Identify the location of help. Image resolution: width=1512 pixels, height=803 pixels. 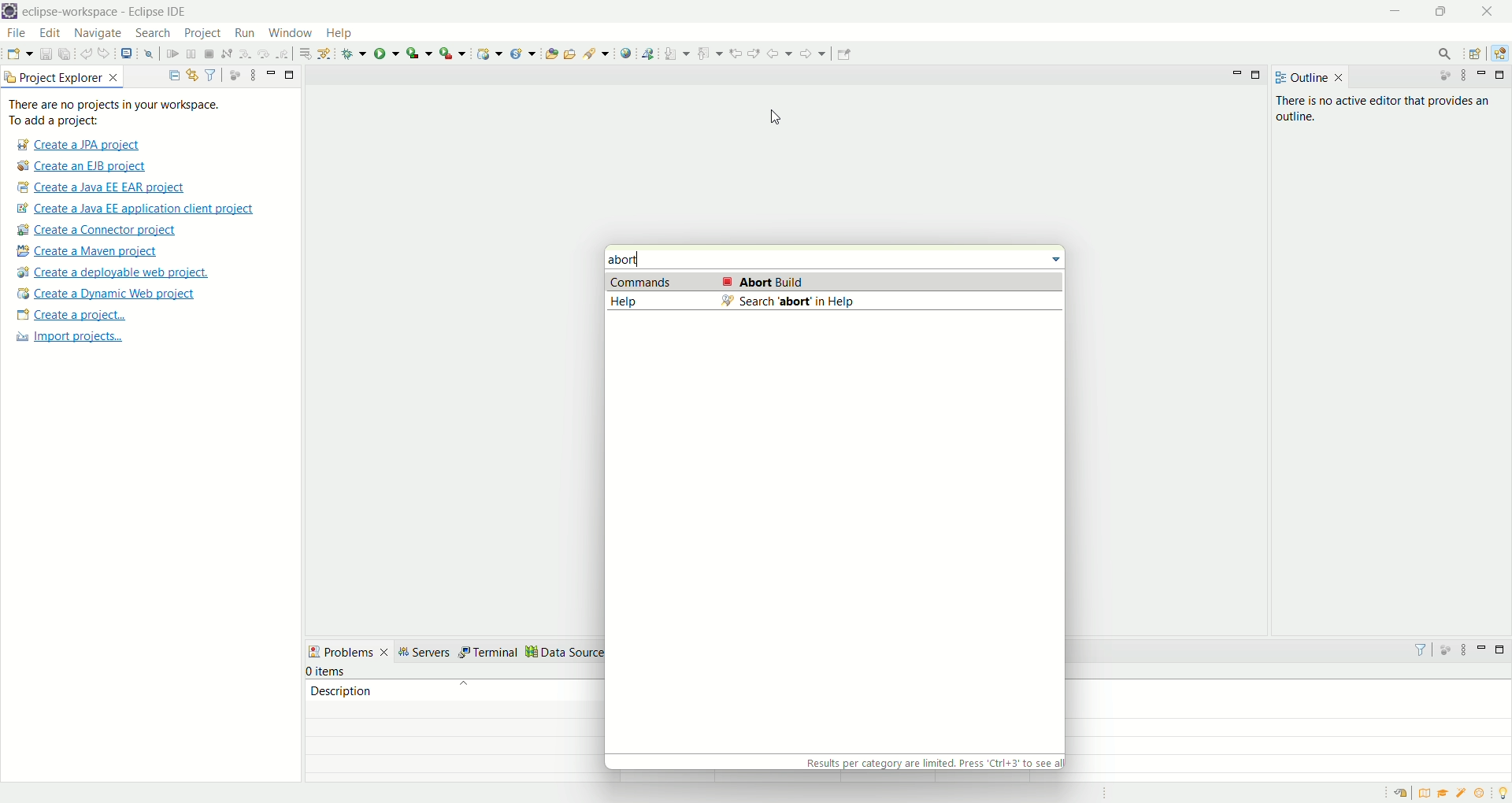
(832, 302).